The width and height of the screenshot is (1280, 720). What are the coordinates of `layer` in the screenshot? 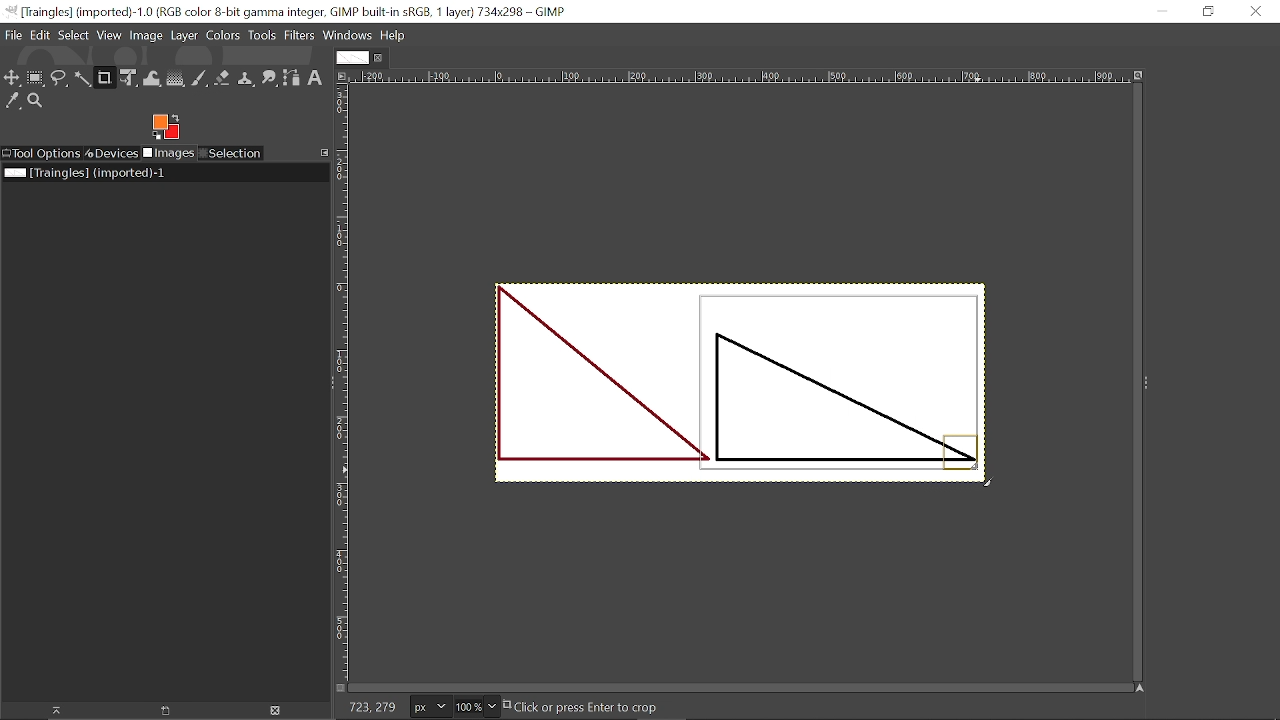 It's located at (184, 37).